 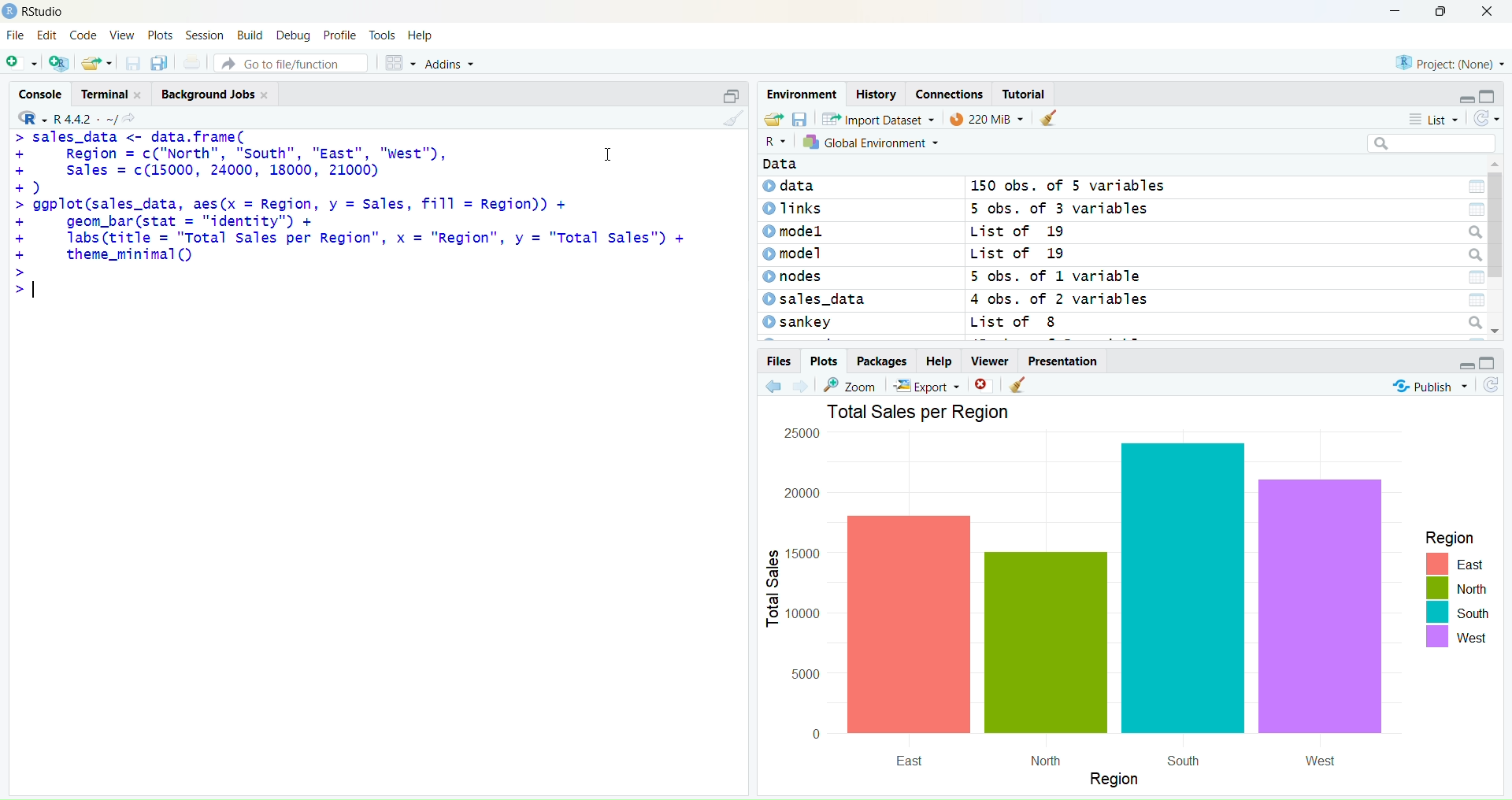 What do you see at coordinates (1493, 12) in the screenshot?
I see `close` at bounding box center [1493, 12].